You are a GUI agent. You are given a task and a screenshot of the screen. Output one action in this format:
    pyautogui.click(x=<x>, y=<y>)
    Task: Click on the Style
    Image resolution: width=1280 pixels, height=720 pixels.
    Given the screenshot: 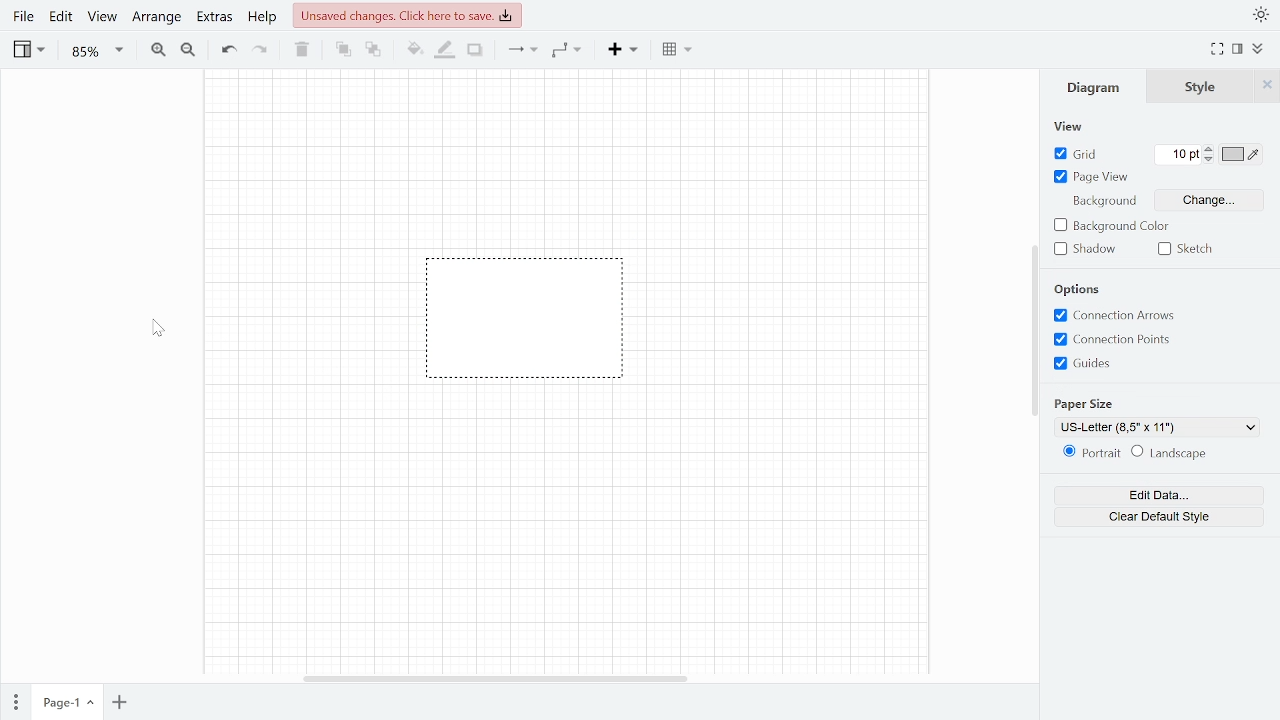 What is the action you would take?
    pyautogui.click(x=1201, y=86)
    